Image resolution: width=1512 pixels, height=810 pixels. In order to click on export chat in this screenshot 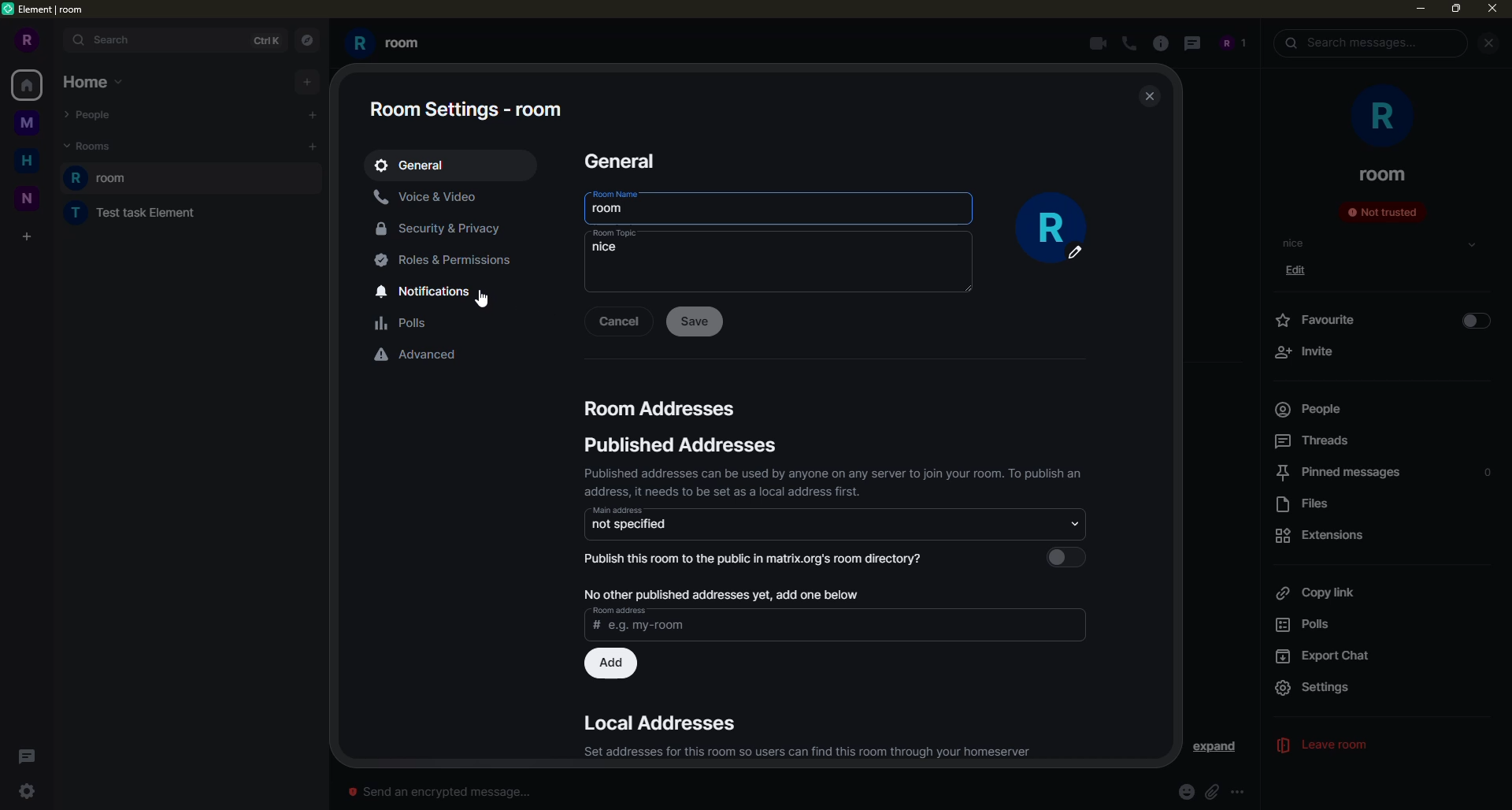, I will do `click(1327, 657)`.